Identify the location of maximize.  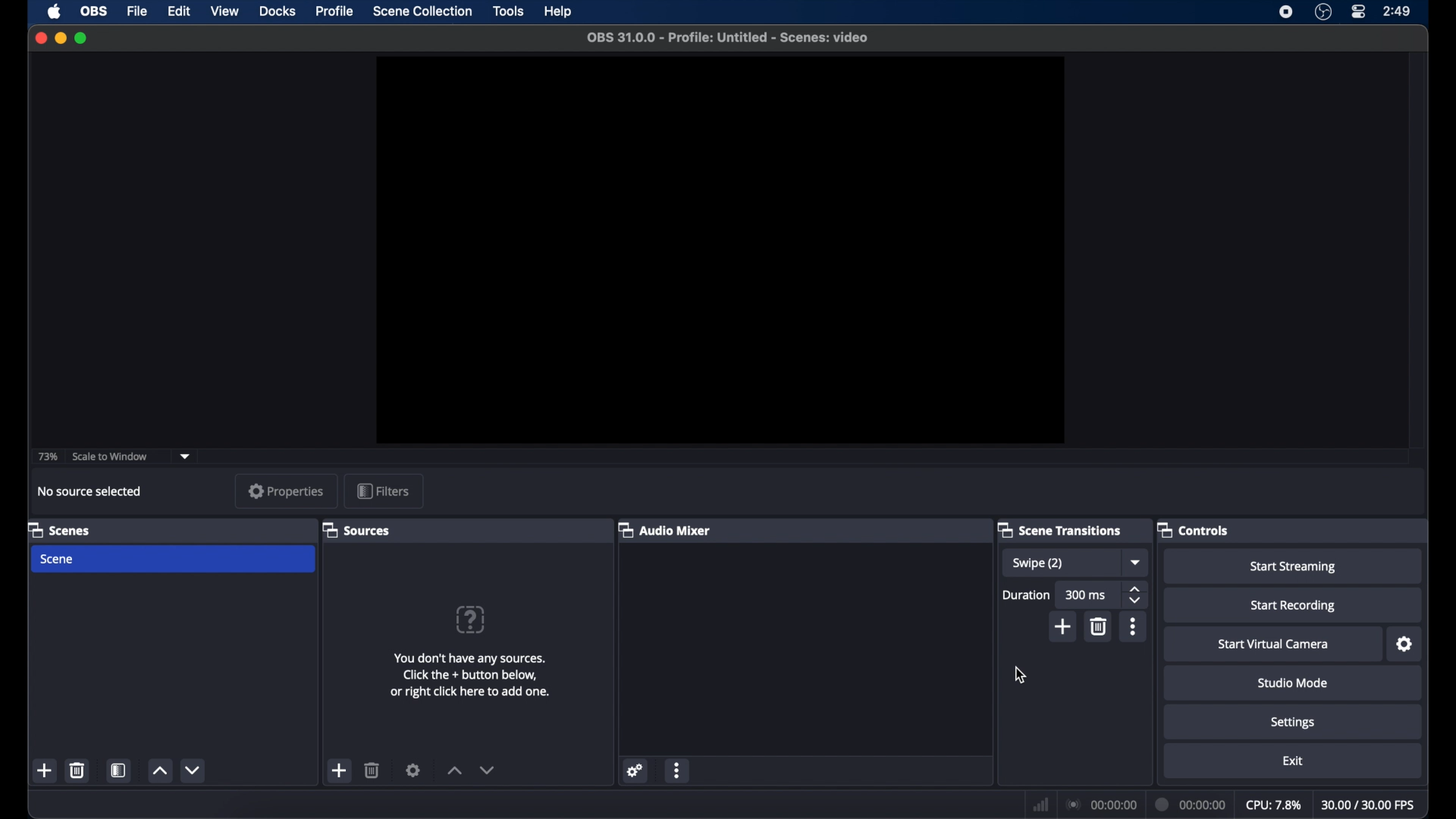
(82, 39).